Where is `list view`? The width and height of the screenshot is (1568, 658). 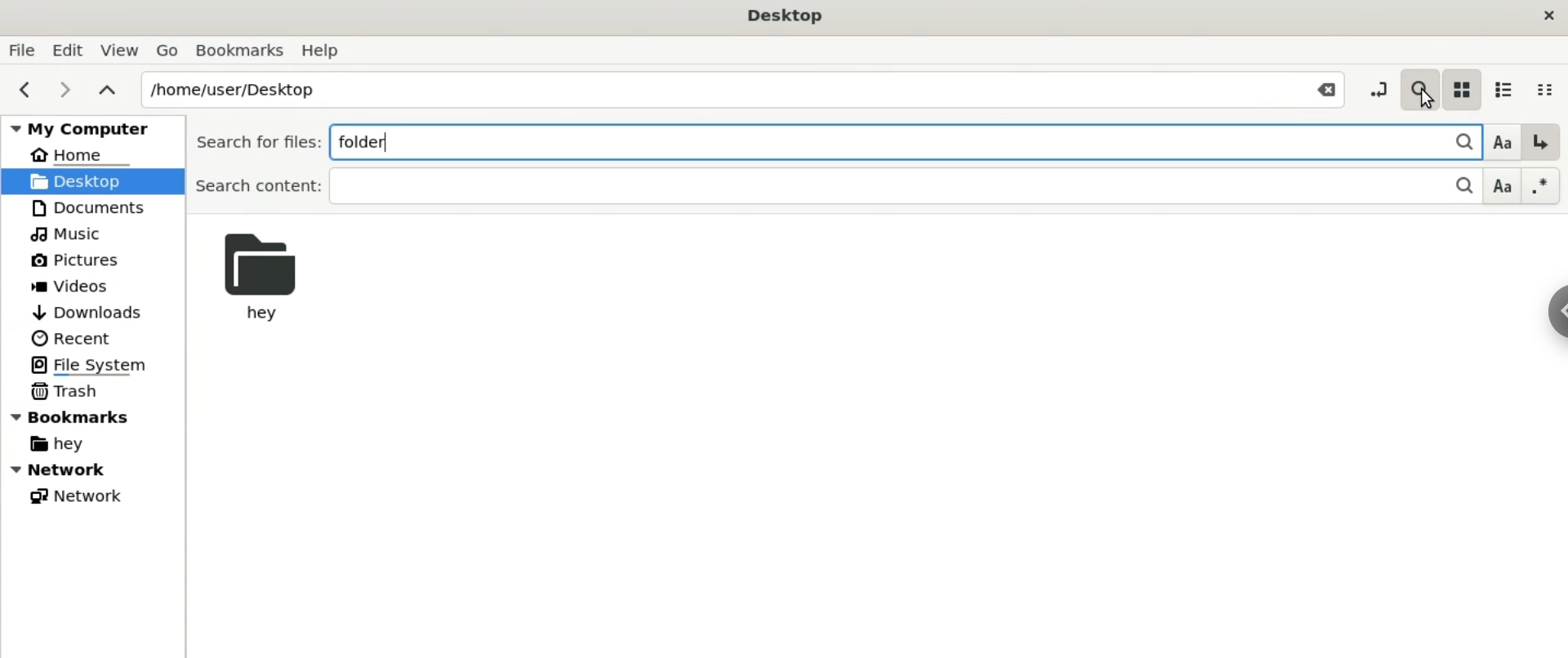 list view is located at coordinates (1502, 86).